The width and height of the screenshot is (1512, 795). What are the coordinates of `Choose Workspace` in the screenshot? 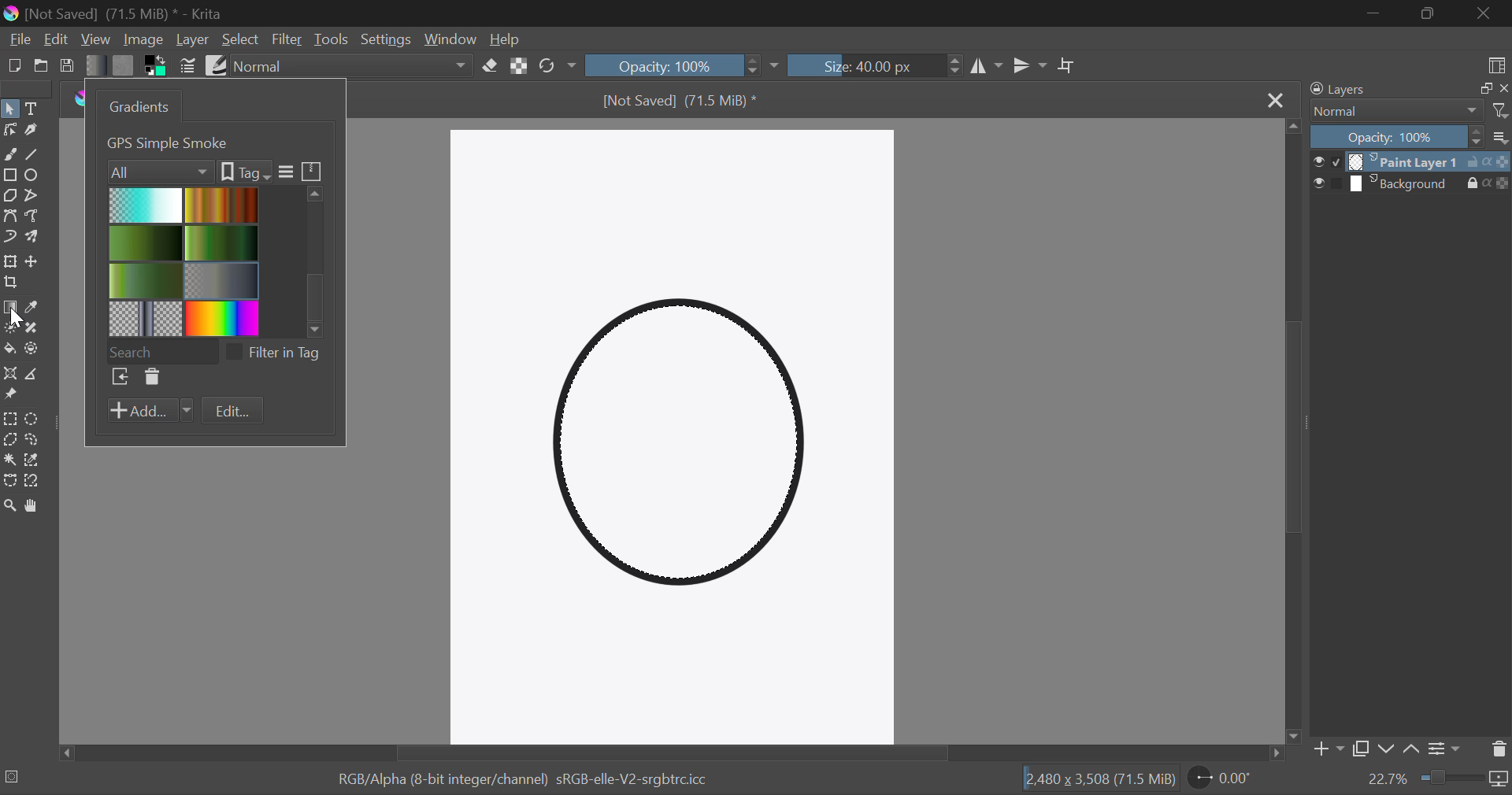 It's located at (1496, 65).